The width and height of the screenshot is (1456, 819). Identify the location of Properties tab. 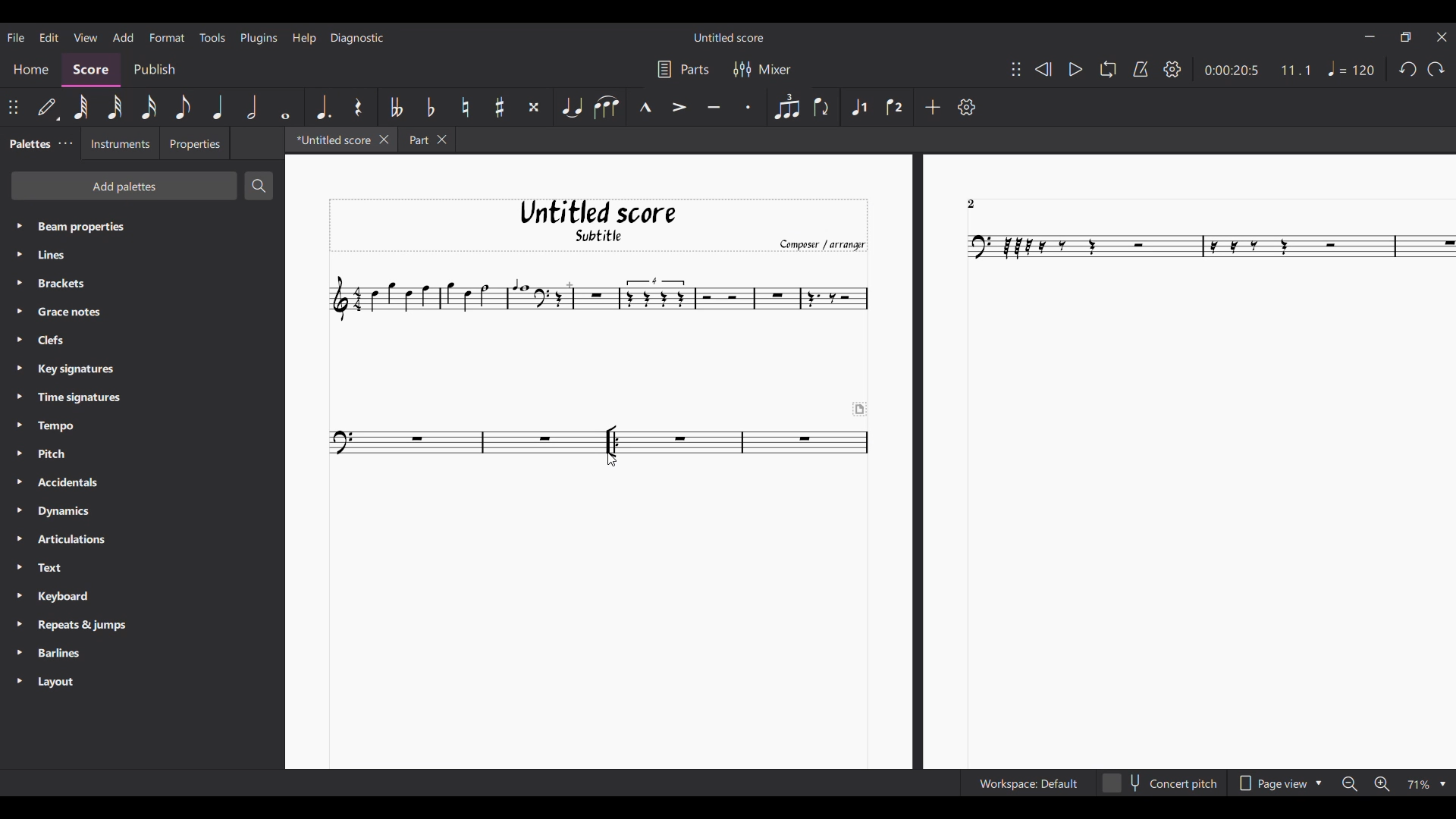
(195, 143).